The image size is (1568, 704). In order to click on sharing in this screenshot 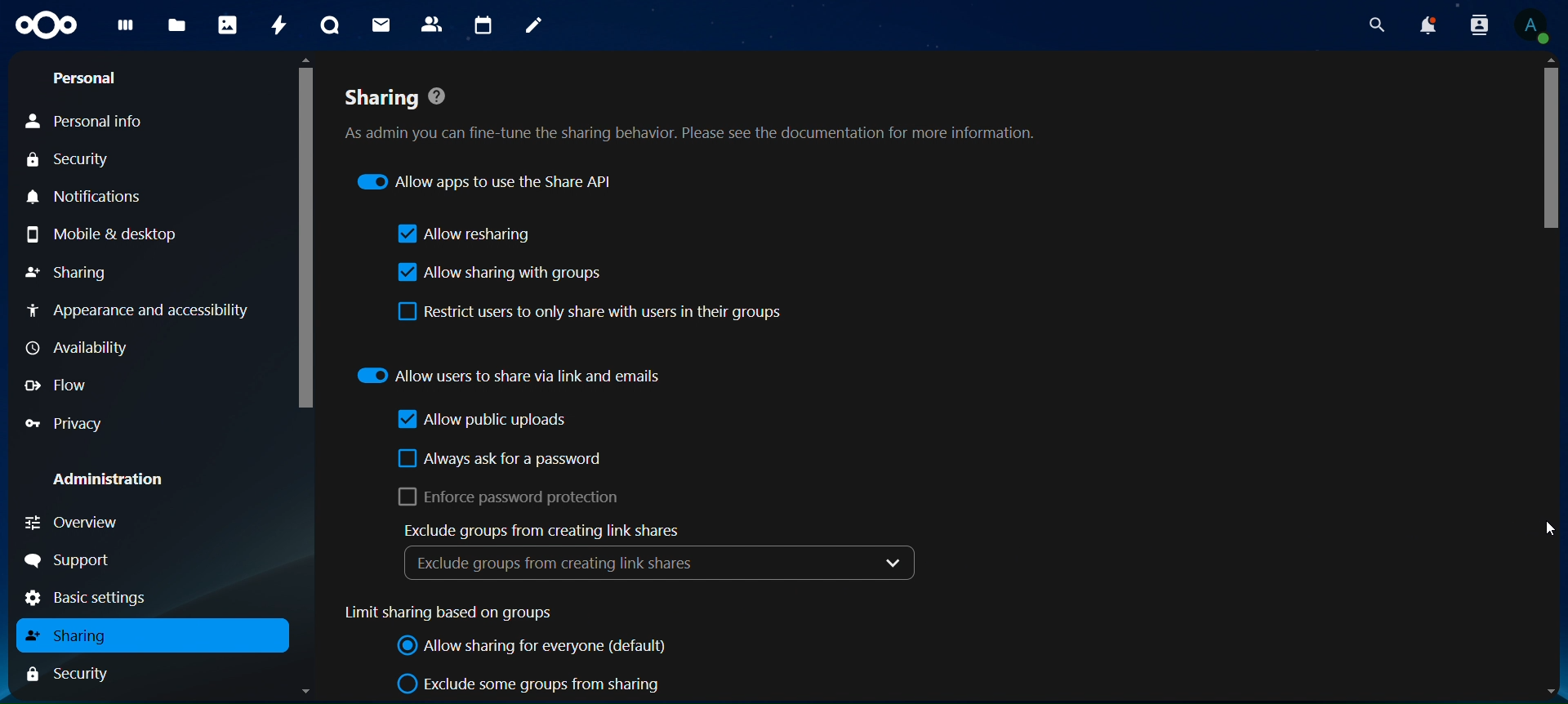, I will do `click(69, 274)`.